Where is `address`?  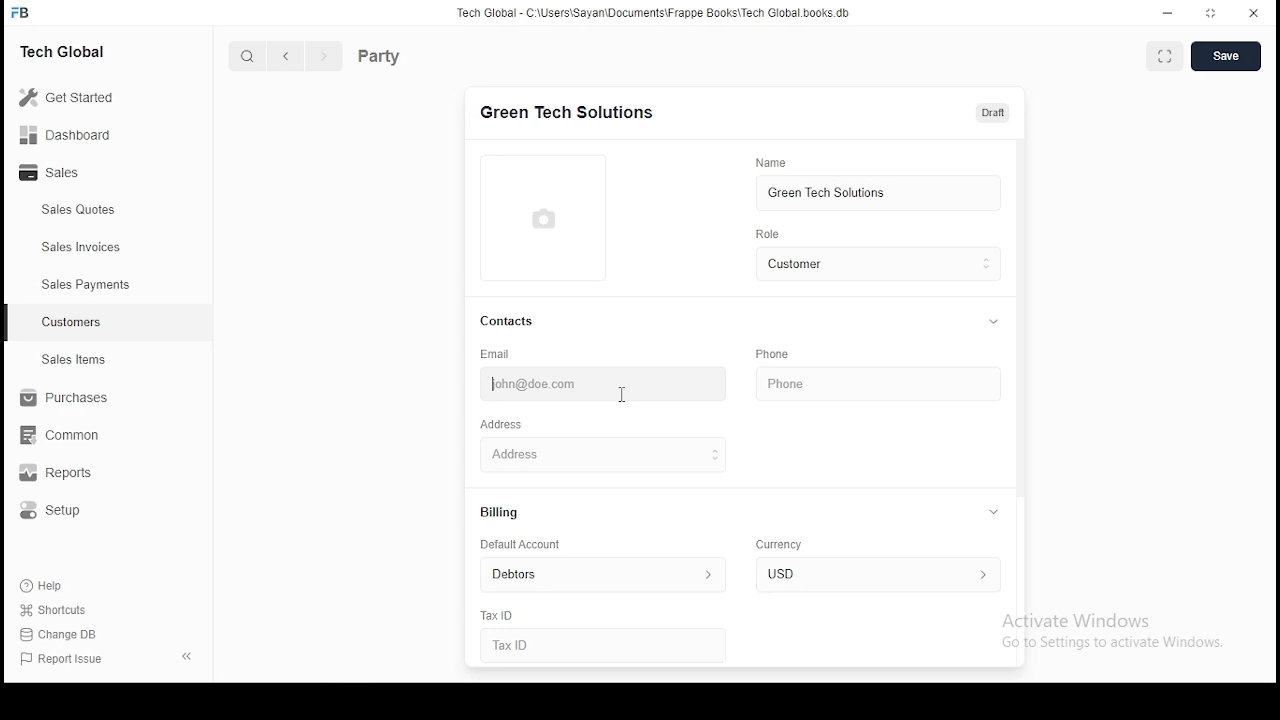 address is located at coordinates (576, 452).